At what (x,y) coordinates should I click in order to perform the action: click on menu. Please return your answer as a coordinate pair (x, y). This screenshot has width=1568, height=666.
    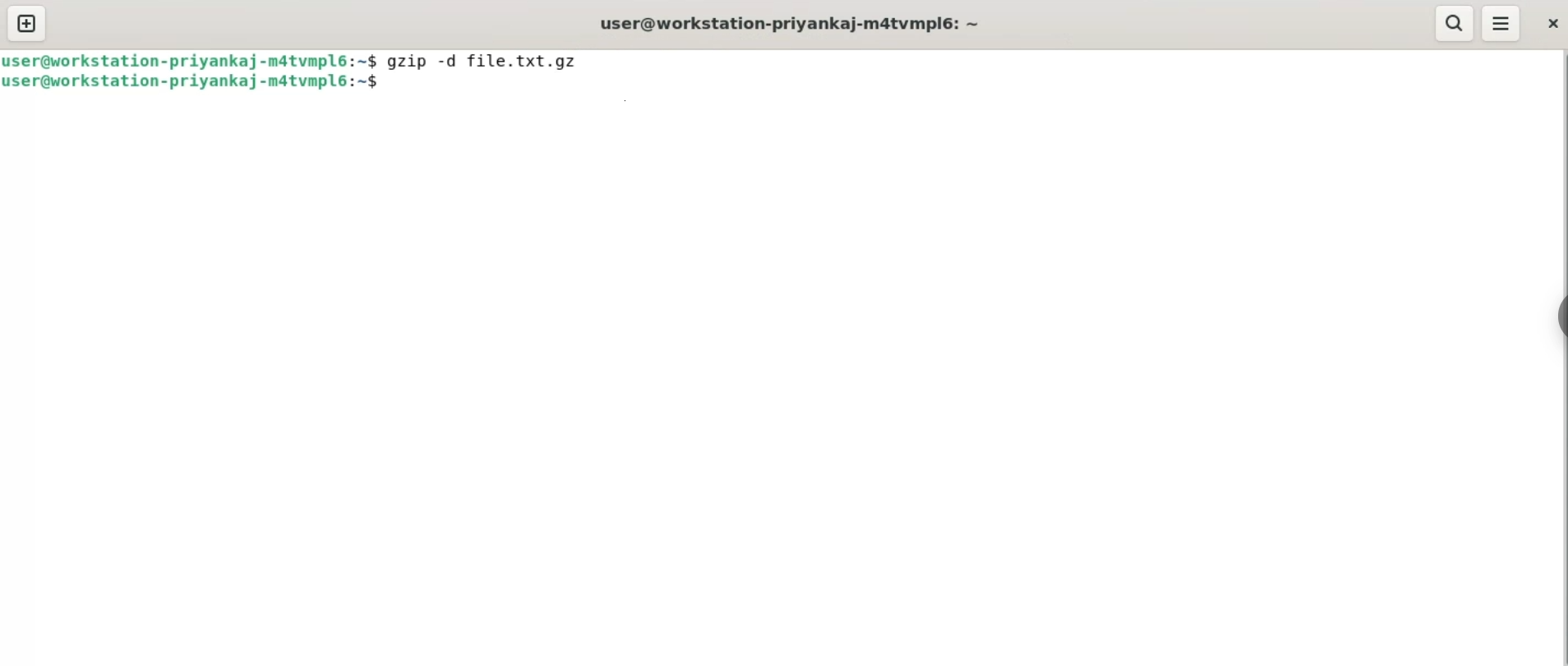
    Looking at the image, I should click on (1502, 23).